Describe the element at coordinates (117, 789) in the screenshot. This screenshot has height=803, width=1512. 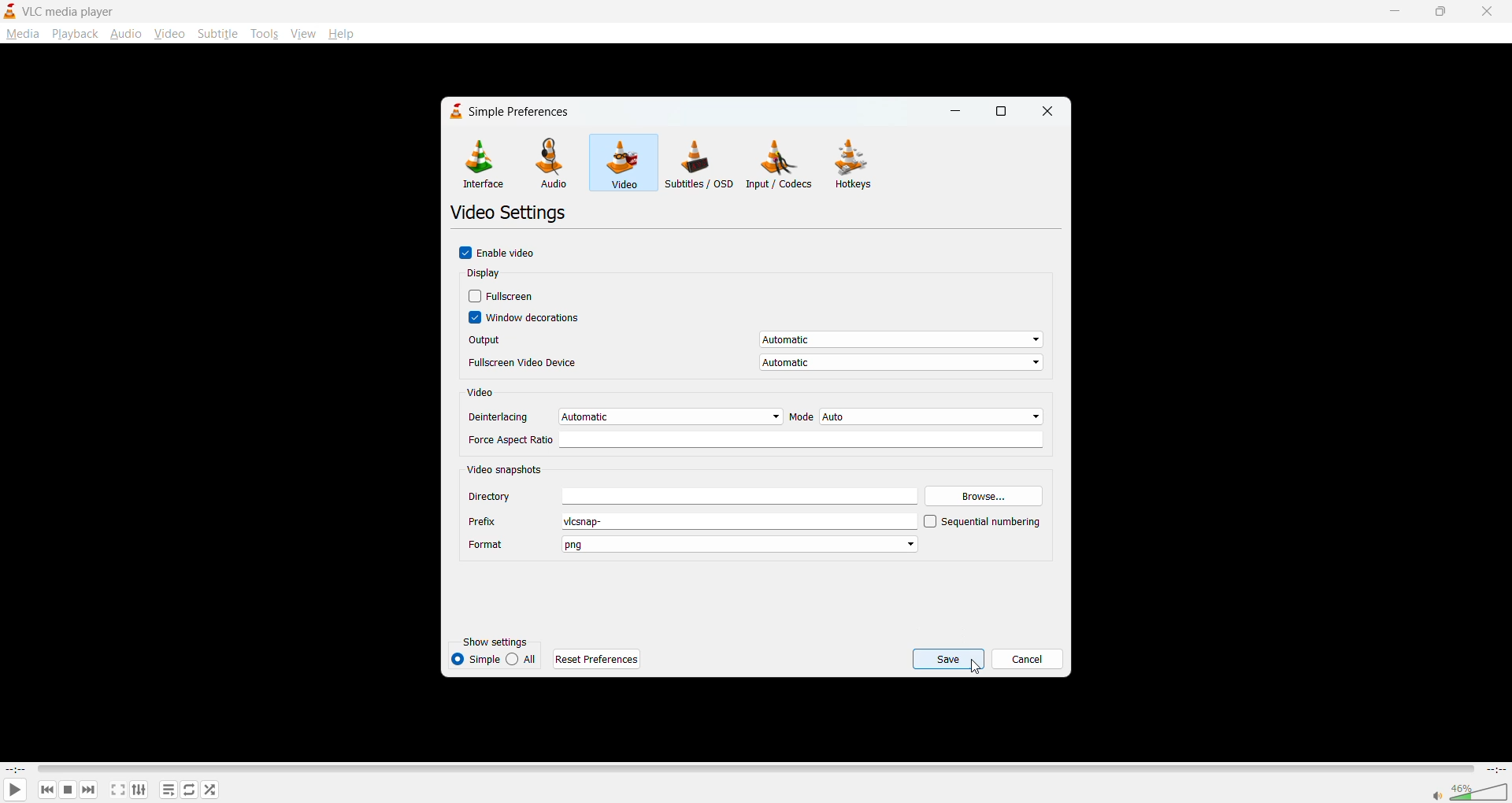
I see `fullscreen` at that location.